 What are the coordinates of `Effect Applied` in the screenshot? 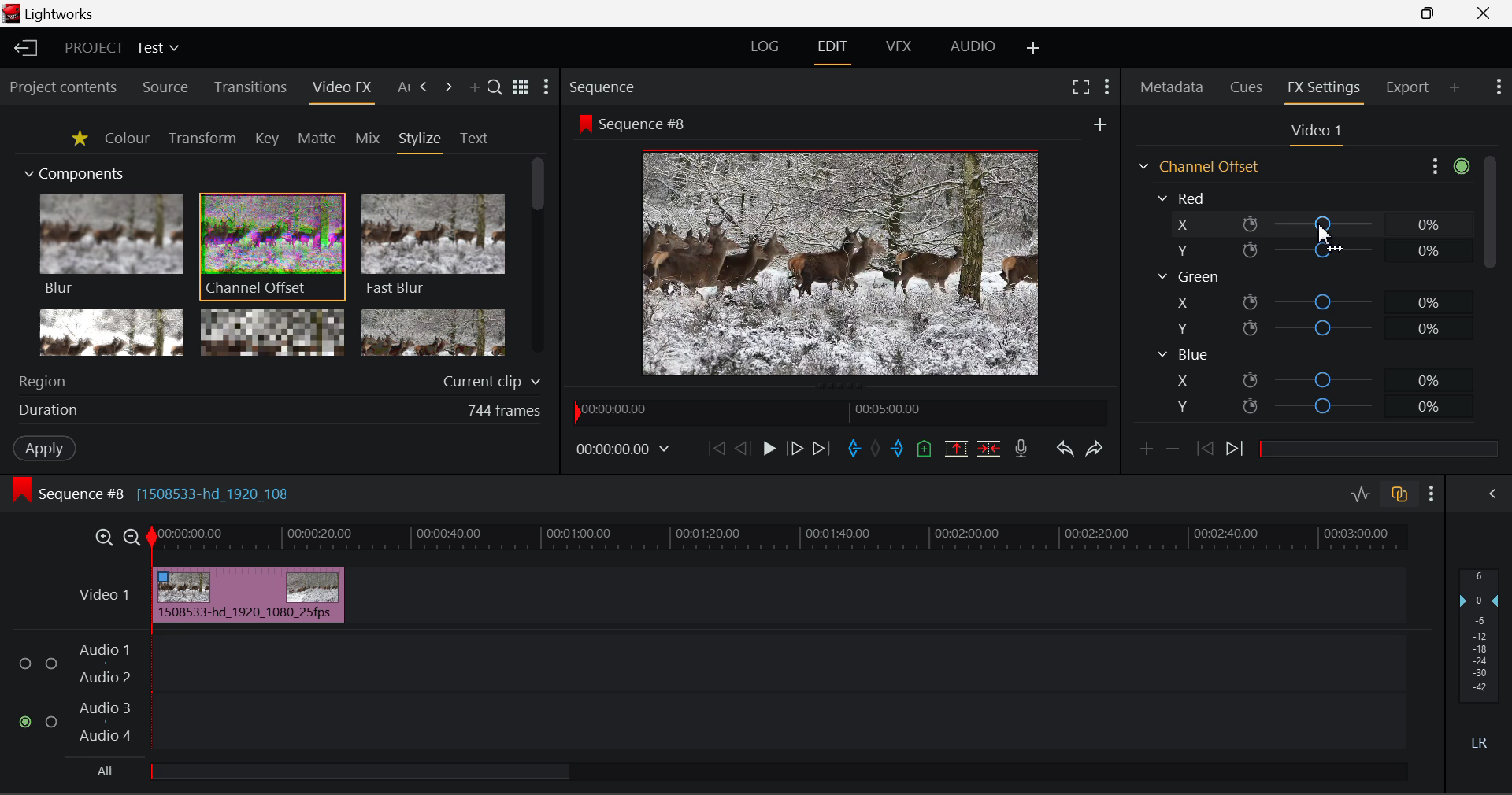 It's located at (250, 592).